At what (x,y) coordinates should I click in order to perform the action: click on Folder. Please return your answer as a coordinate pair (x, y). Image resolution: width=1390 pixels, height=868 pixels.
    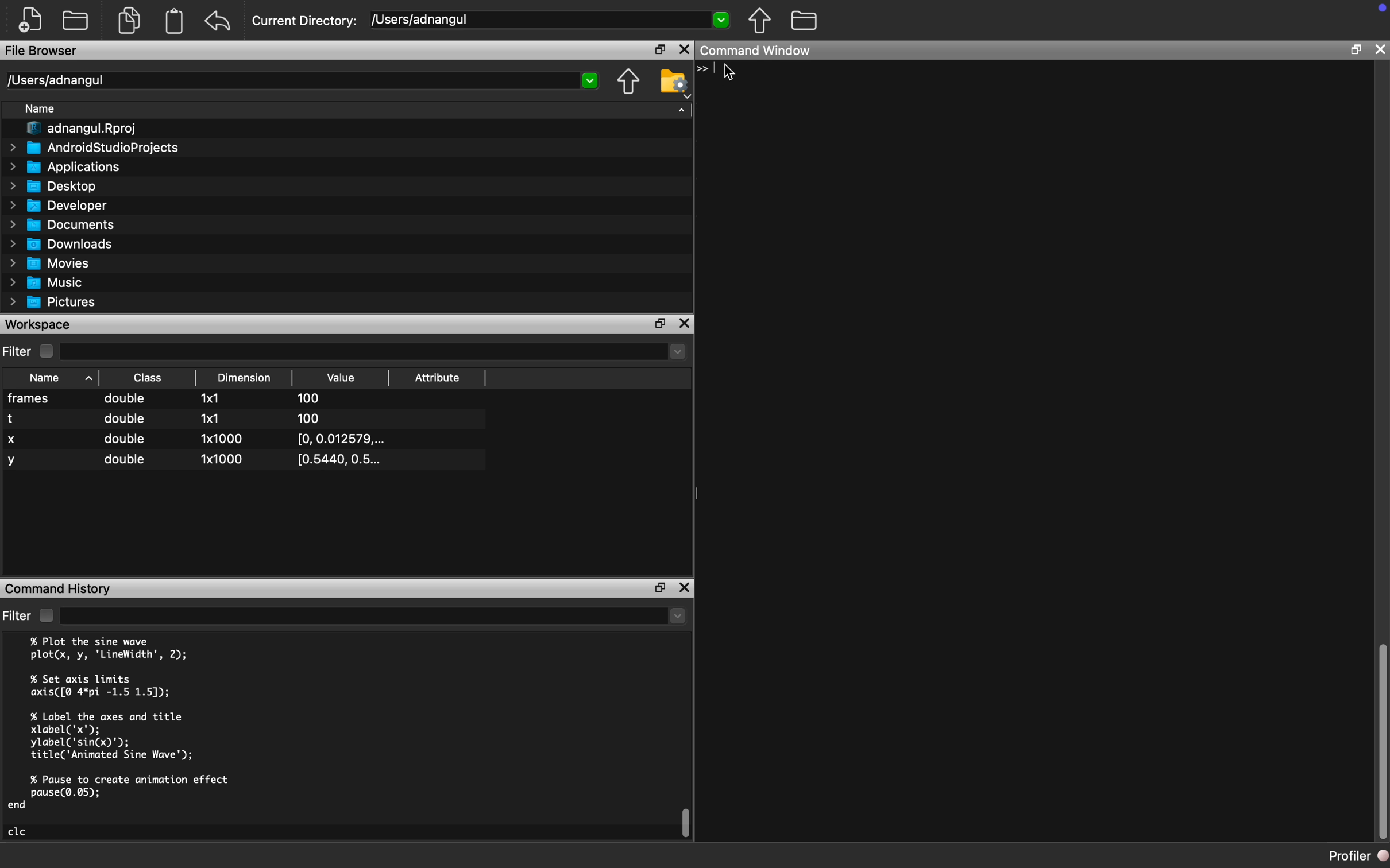
    Looking at the image, I should click on (804, 21).